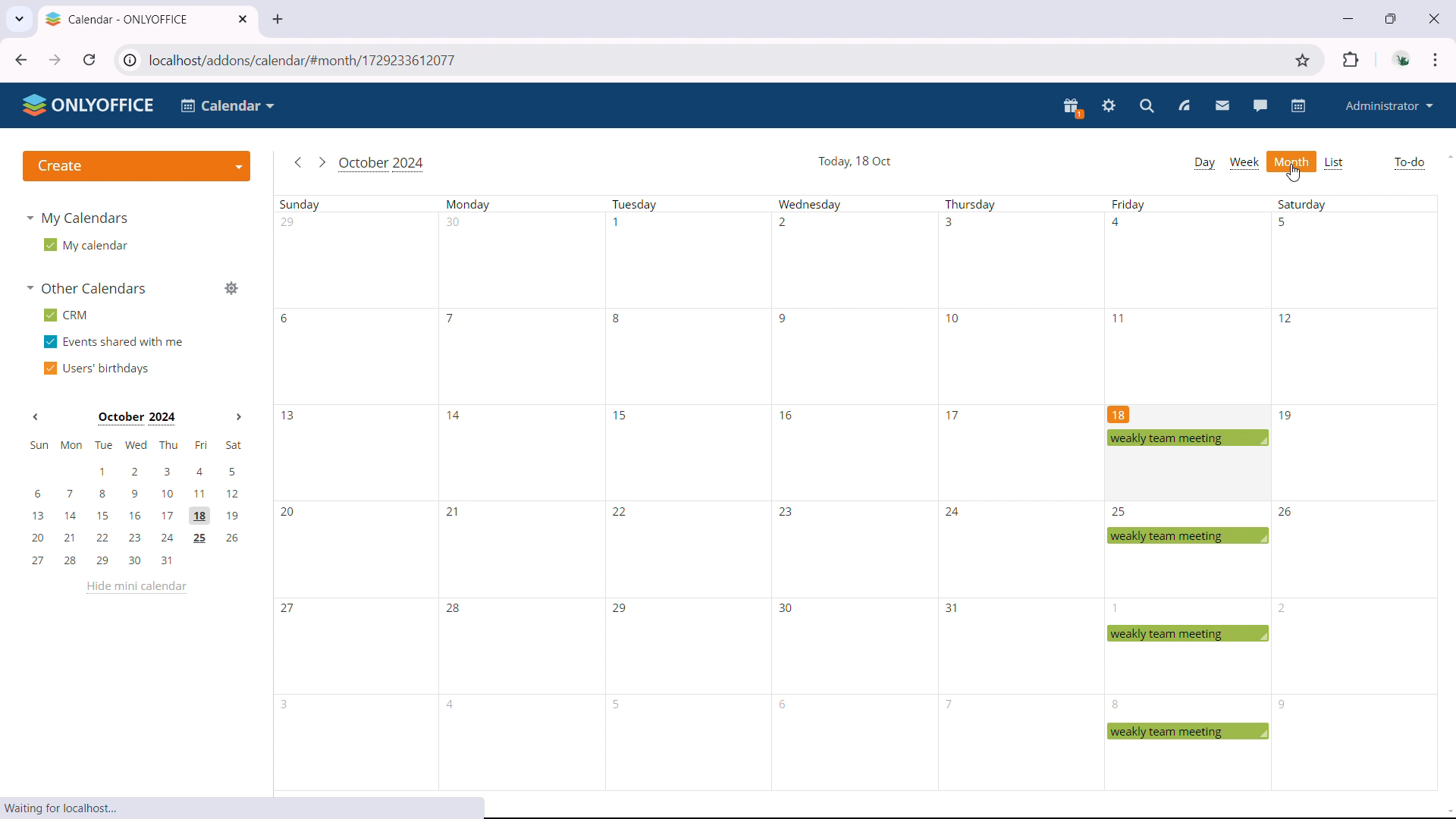 The width and height of the screenshot is (1456, 819). Describe the element at coordinates (1022, 493) in the screenshot. I see `Thursday` at that location.